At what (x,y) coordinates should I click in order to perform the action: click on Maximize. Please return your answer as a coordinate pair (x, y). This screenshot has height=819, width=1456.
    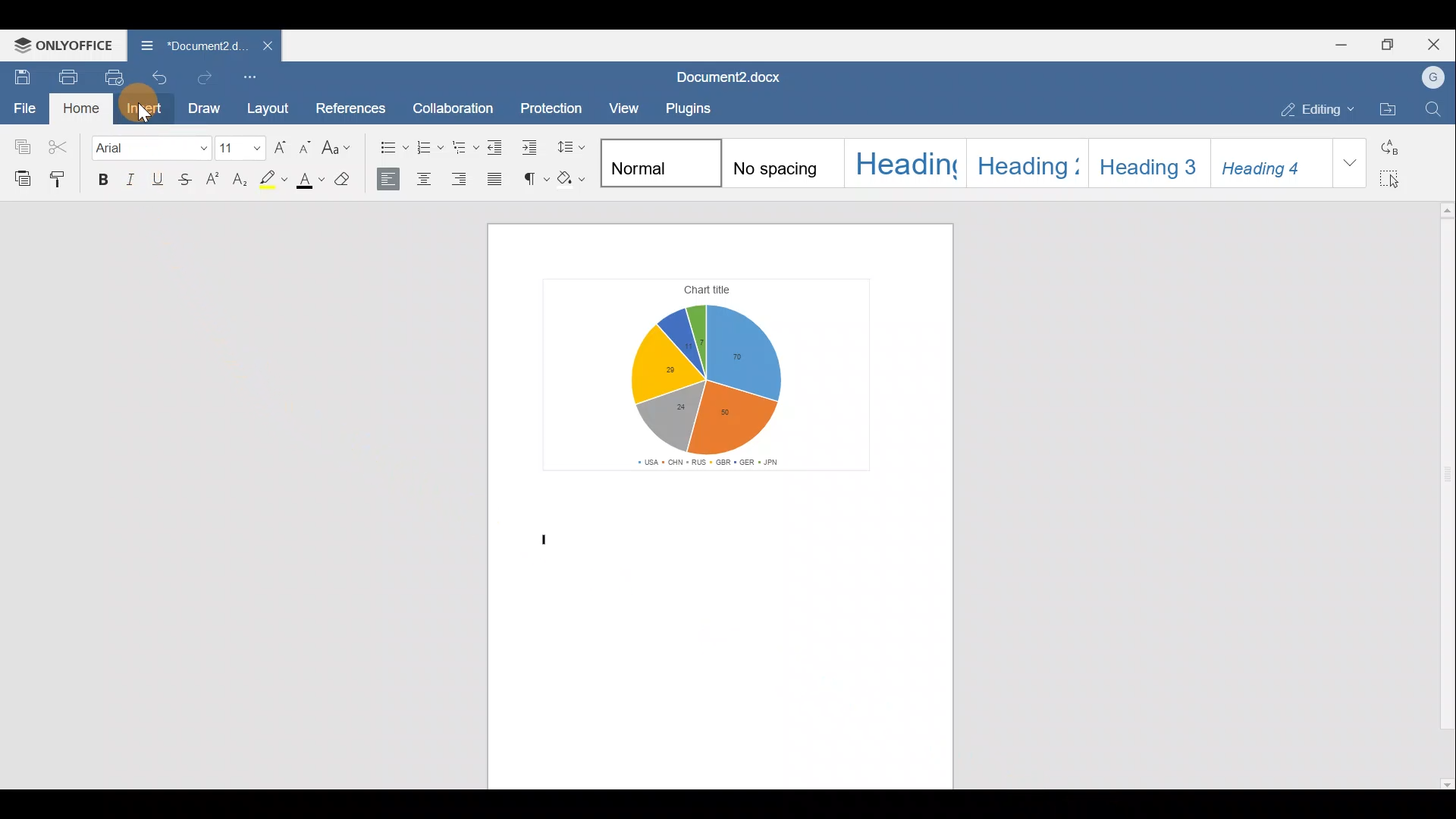
    Looking at the image, I should click on (1389, 45).